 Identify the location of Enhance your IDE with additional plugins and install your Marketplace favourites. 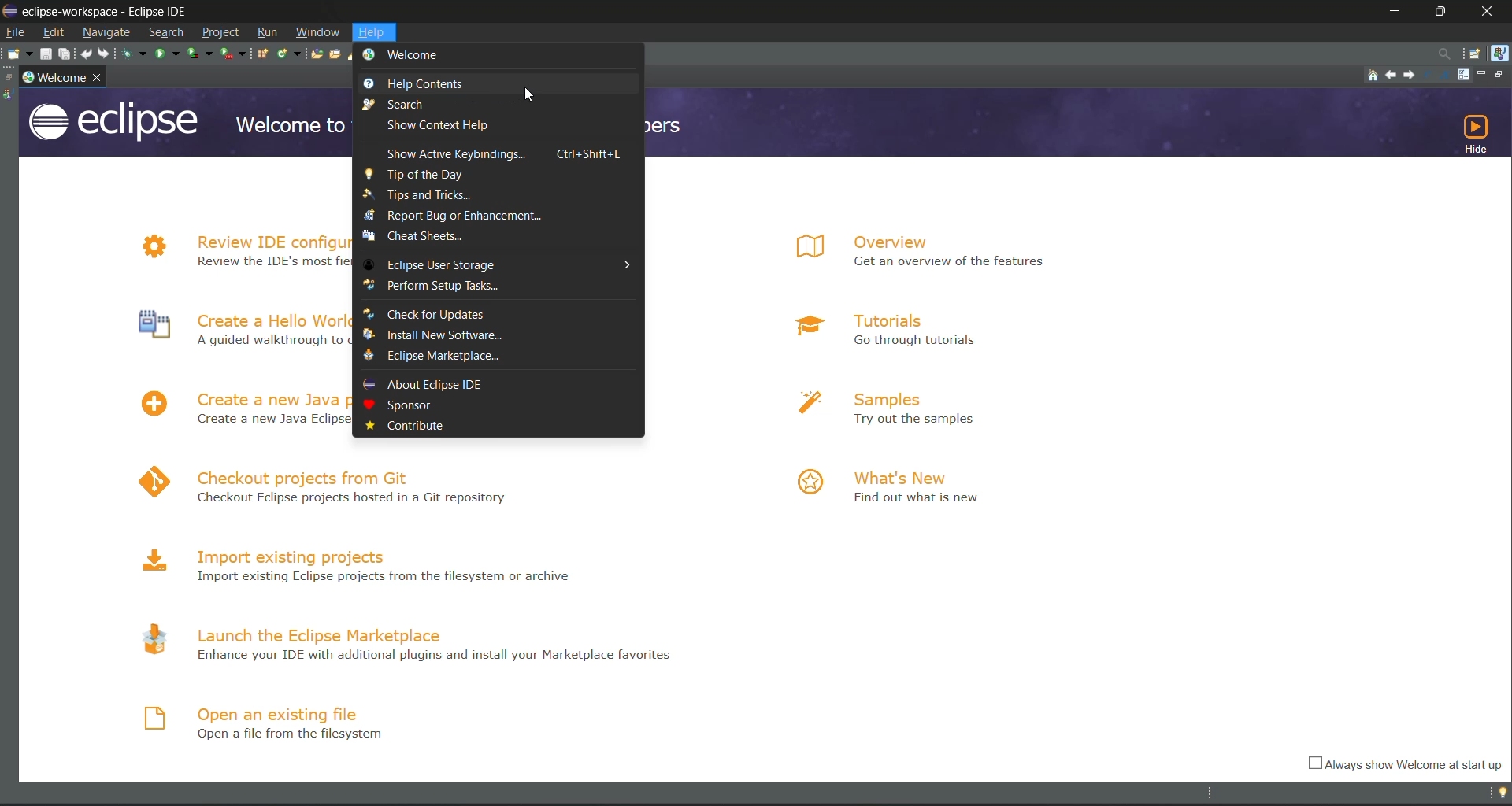
(432, 659).